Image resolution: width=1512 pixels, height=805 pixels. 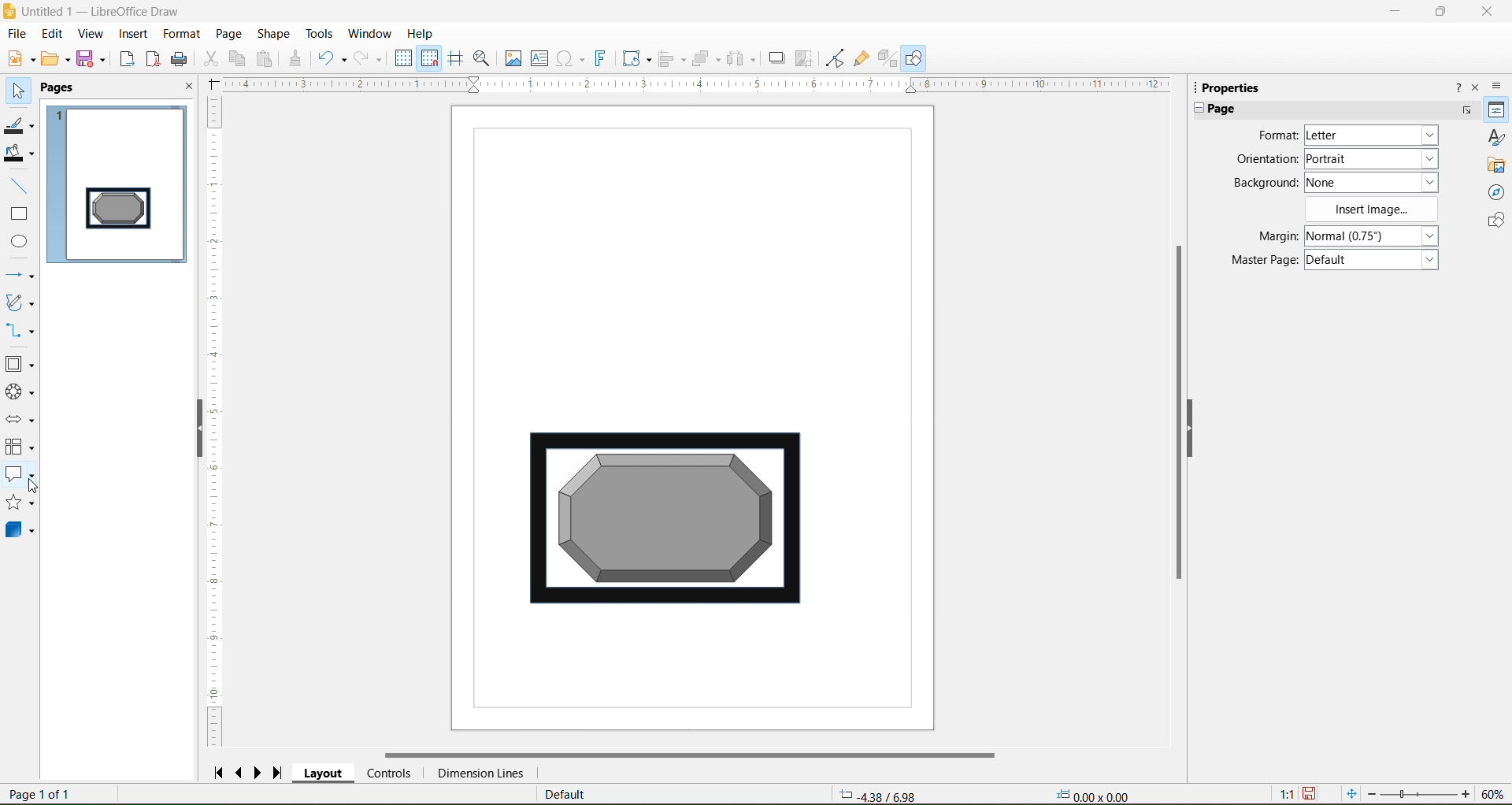 I want to click on Scroll to next page, so click(x=261, y=772).